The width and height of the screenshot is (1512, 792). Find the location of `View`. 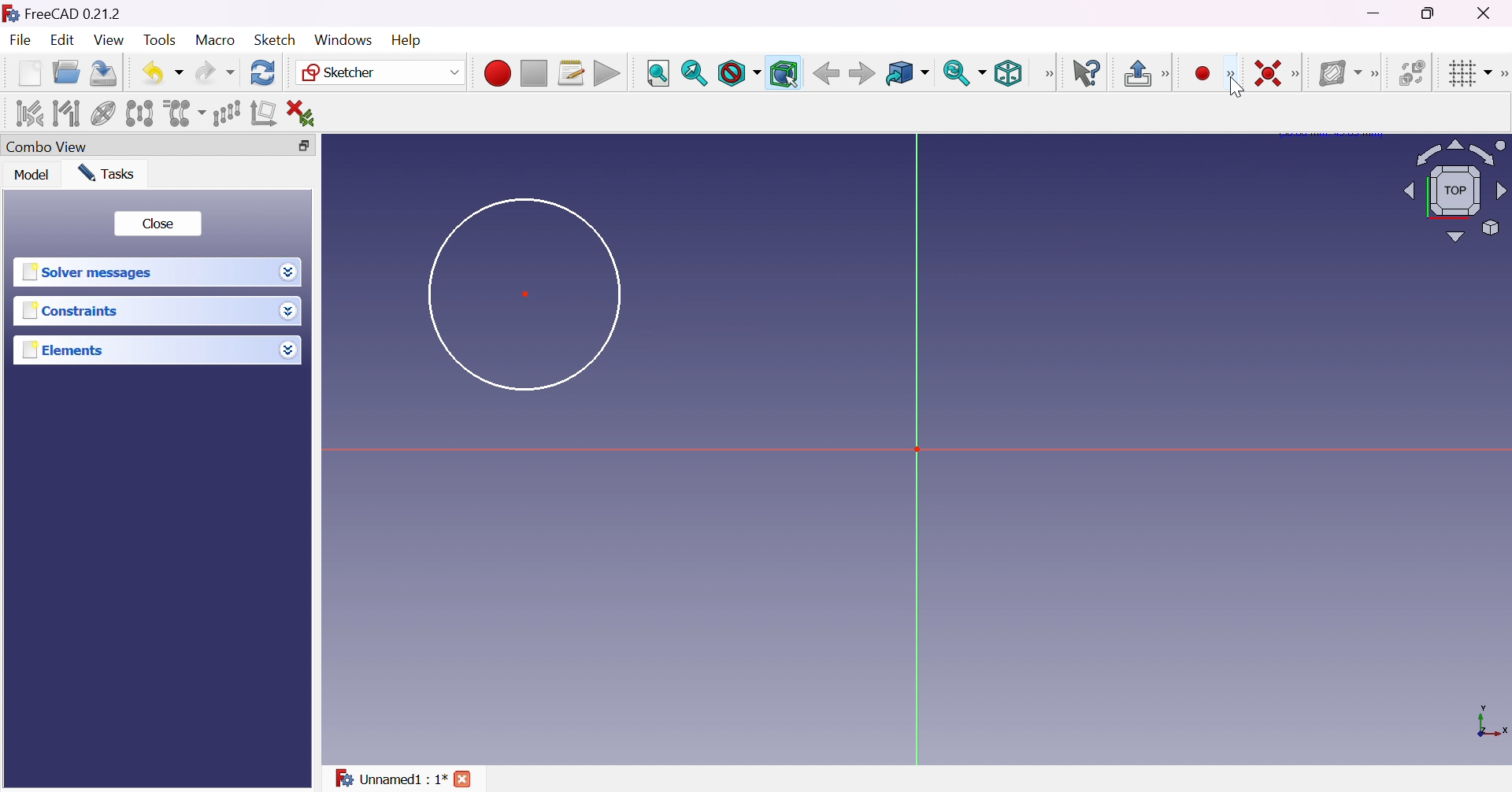

View is located at coordinates (110, 41).